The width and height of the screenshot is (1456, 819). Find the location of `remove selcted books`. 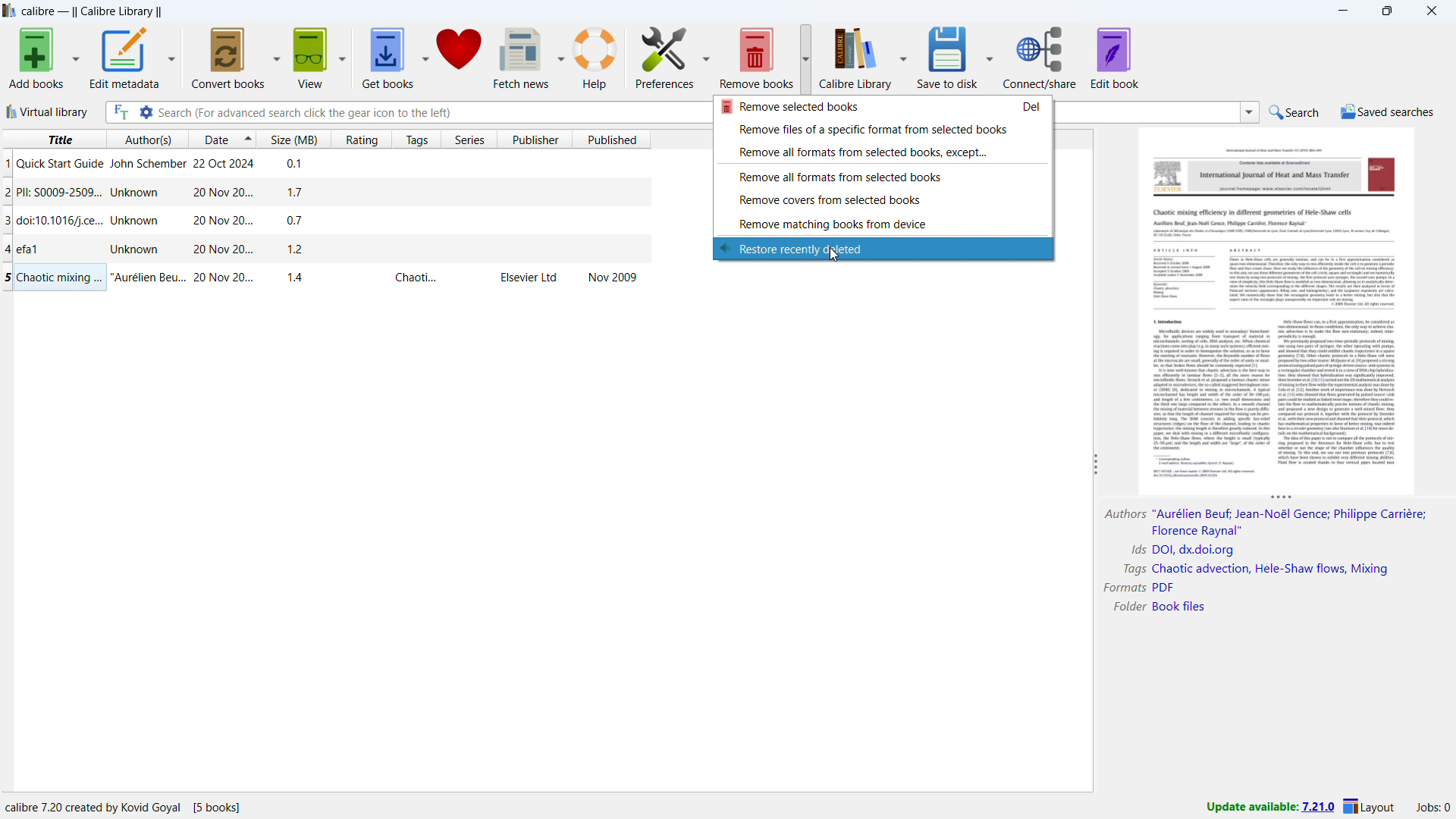

remove selcted books is located at coordinates (882, 107).